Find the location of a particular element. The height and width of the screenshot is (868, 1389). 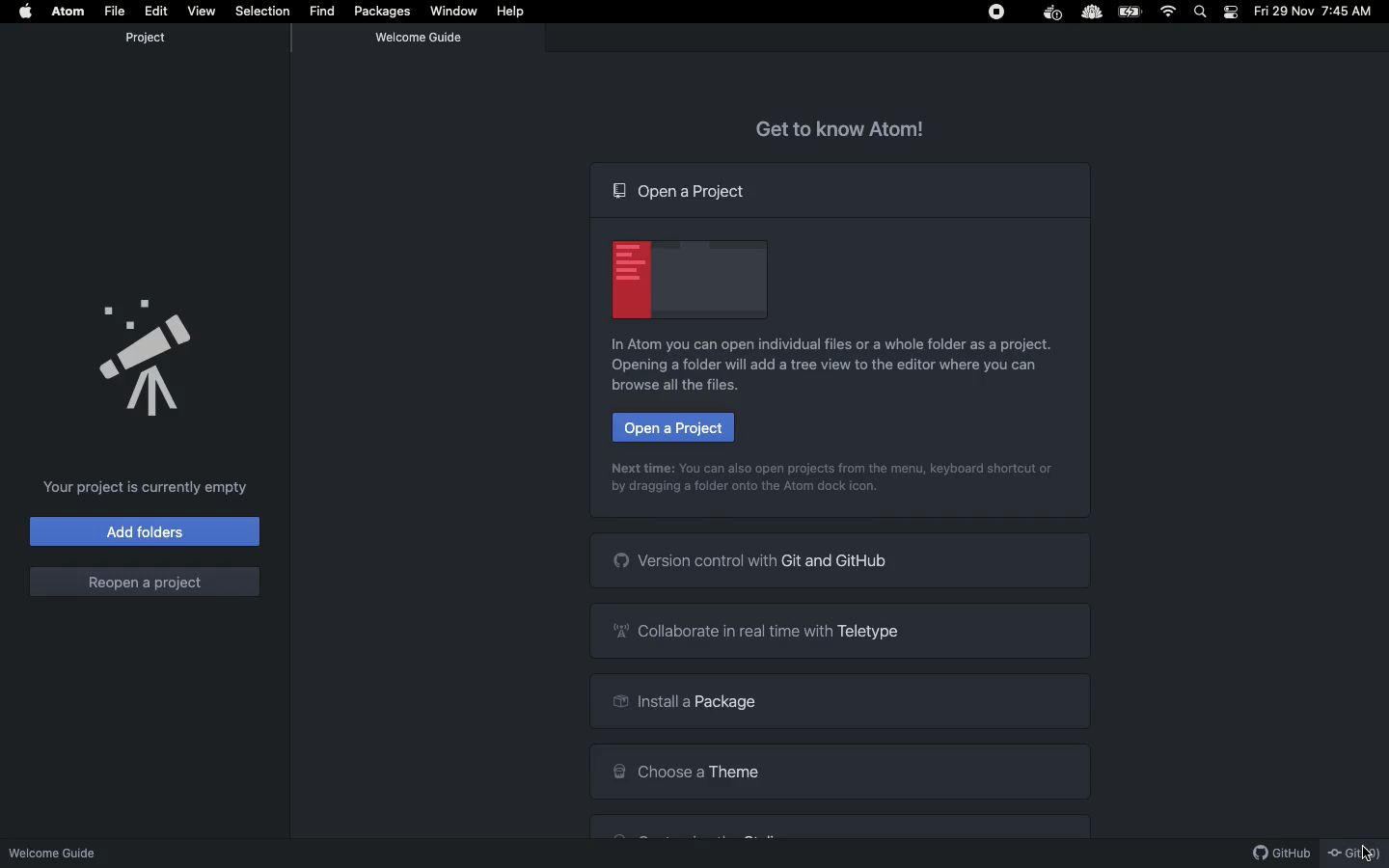

Welcome guide is located at coordinates (57, 847).